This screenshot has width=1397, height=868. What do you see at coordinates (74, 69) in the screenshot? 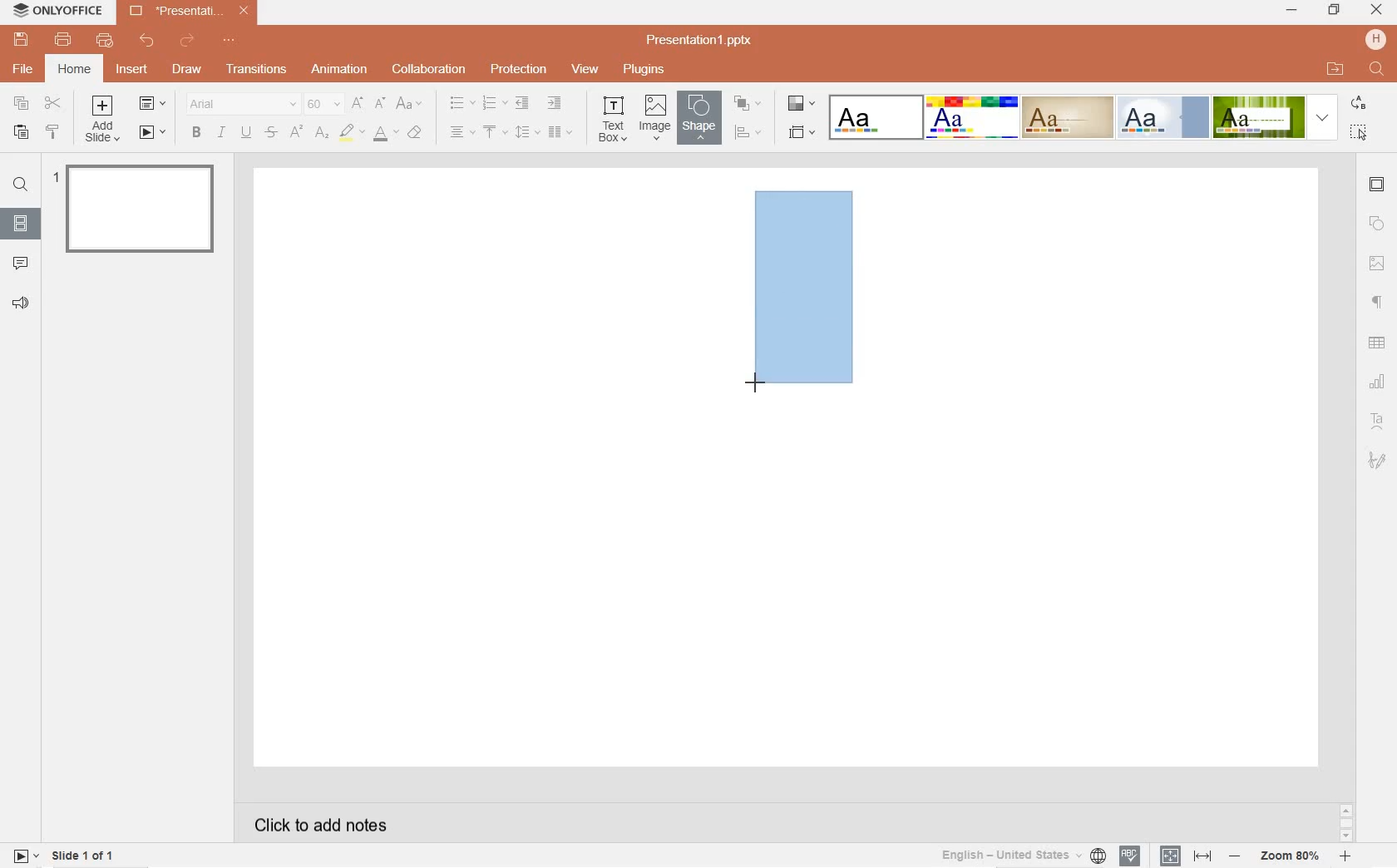
I see `home` at bounding box center [74, 69].